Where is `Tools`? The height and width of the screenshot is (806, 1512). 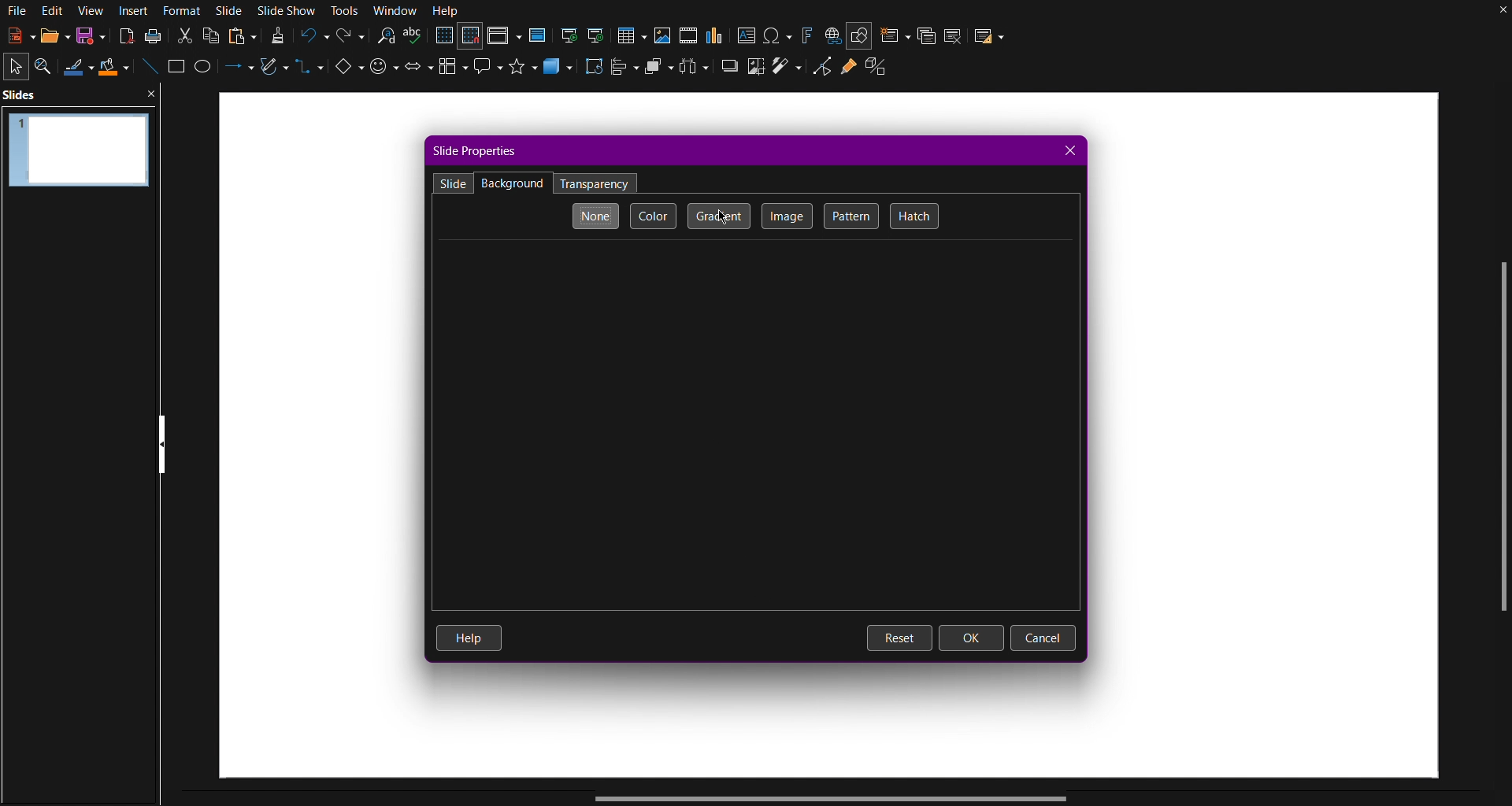 Tools is located at coordinates (346, 11).